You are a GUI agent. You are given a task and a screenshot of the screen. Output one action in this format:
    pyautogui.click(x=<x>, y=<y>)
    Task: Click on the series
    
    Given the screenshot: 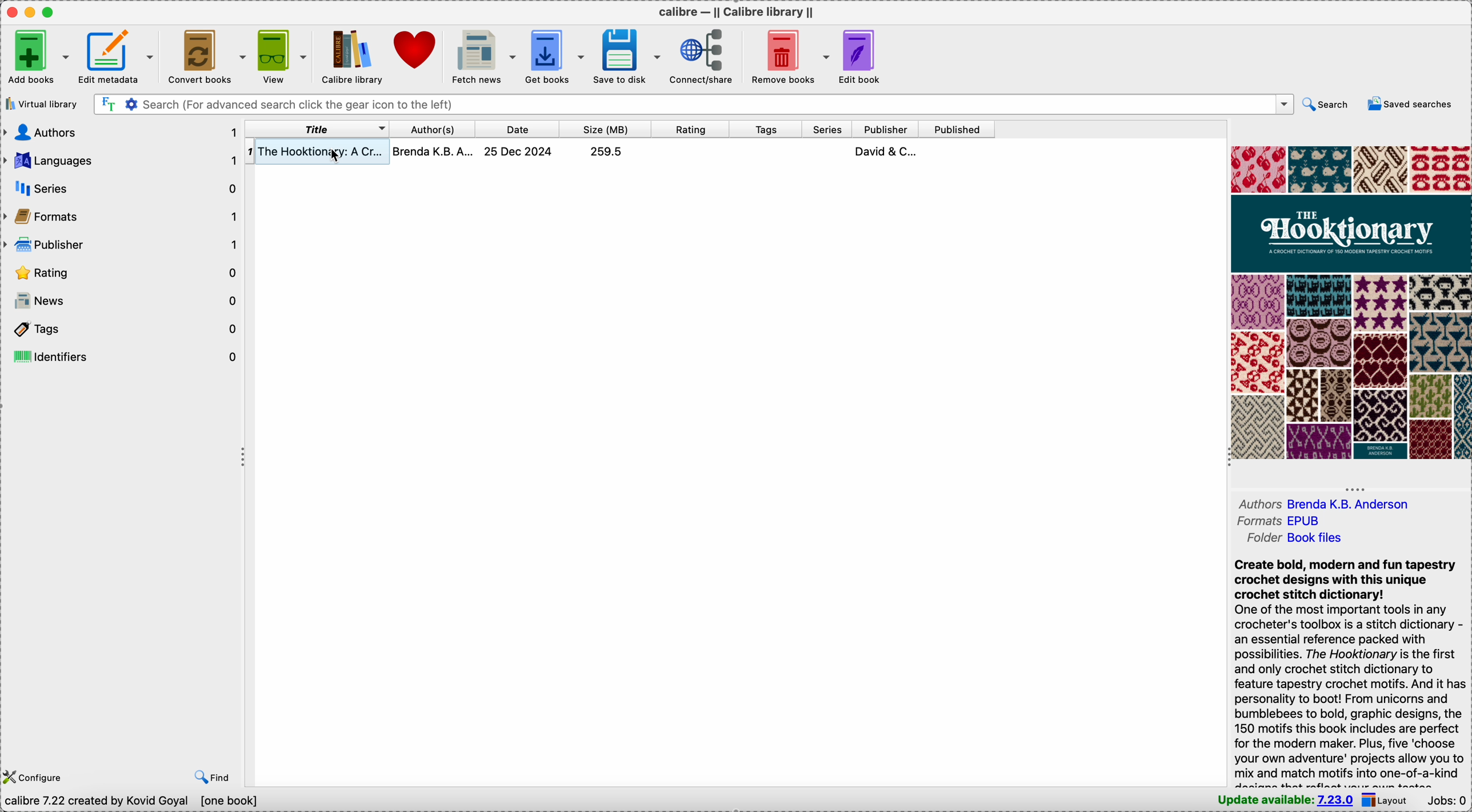 What is the action you would take?
    pyautogui.click(x=826, y=129)
    